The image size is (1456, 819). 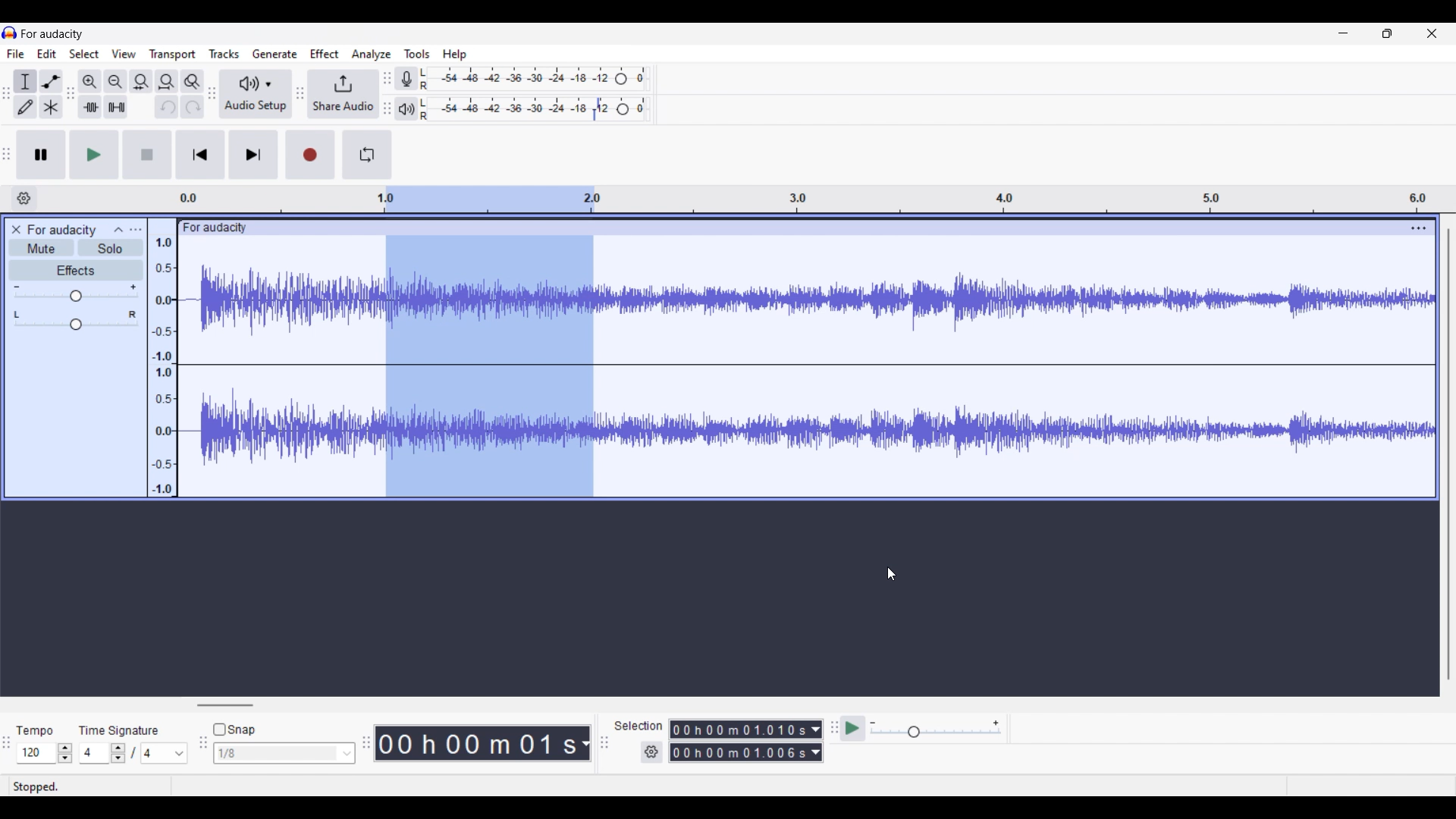 What do you see at coordinates (10, 33) in the screenshot?
I see `Software logo` at bounding box center [10, 33].